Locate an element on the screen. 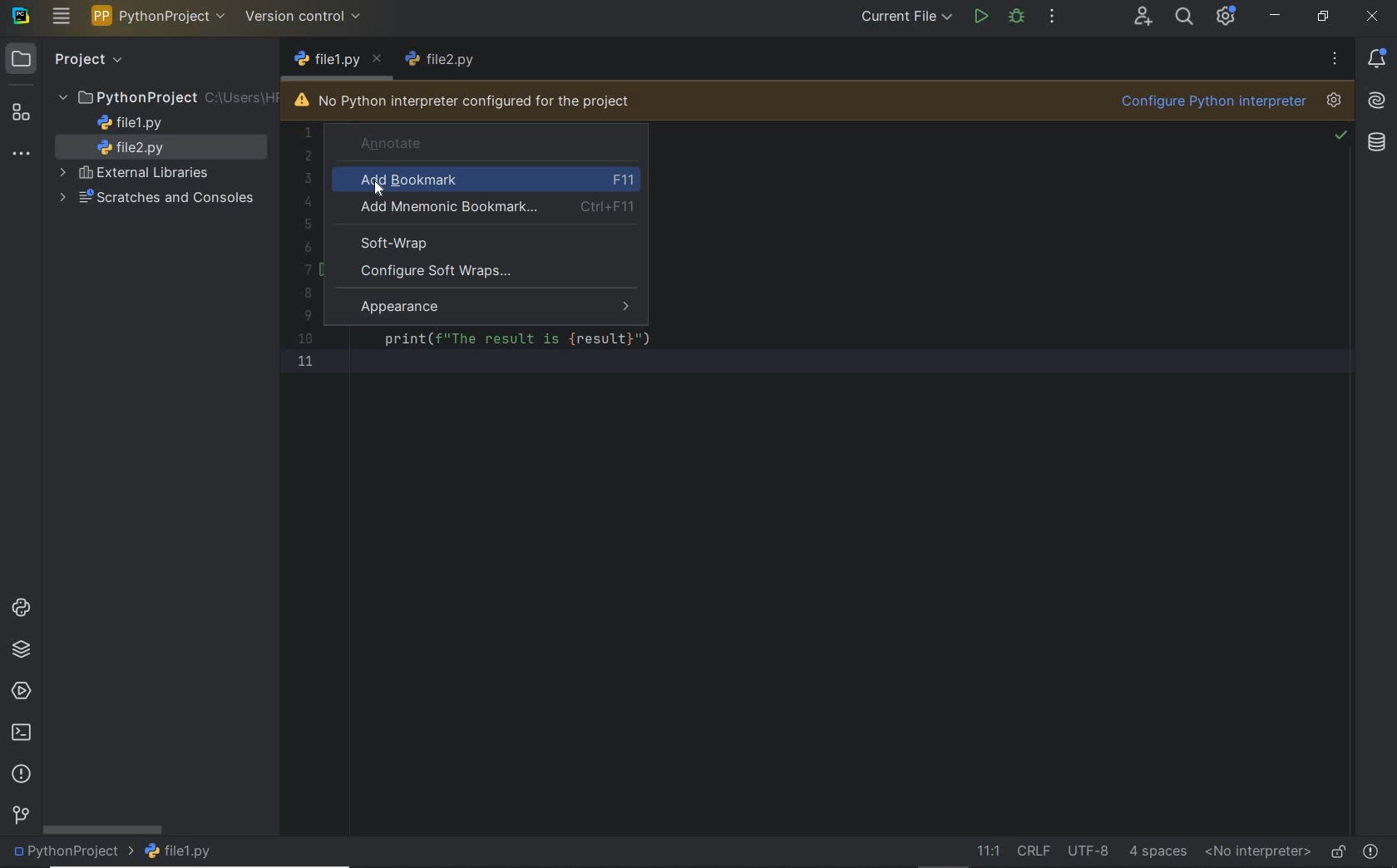 The width and height of the screenshot is (1397, 868). appearance is located at coordinates (497, 308).